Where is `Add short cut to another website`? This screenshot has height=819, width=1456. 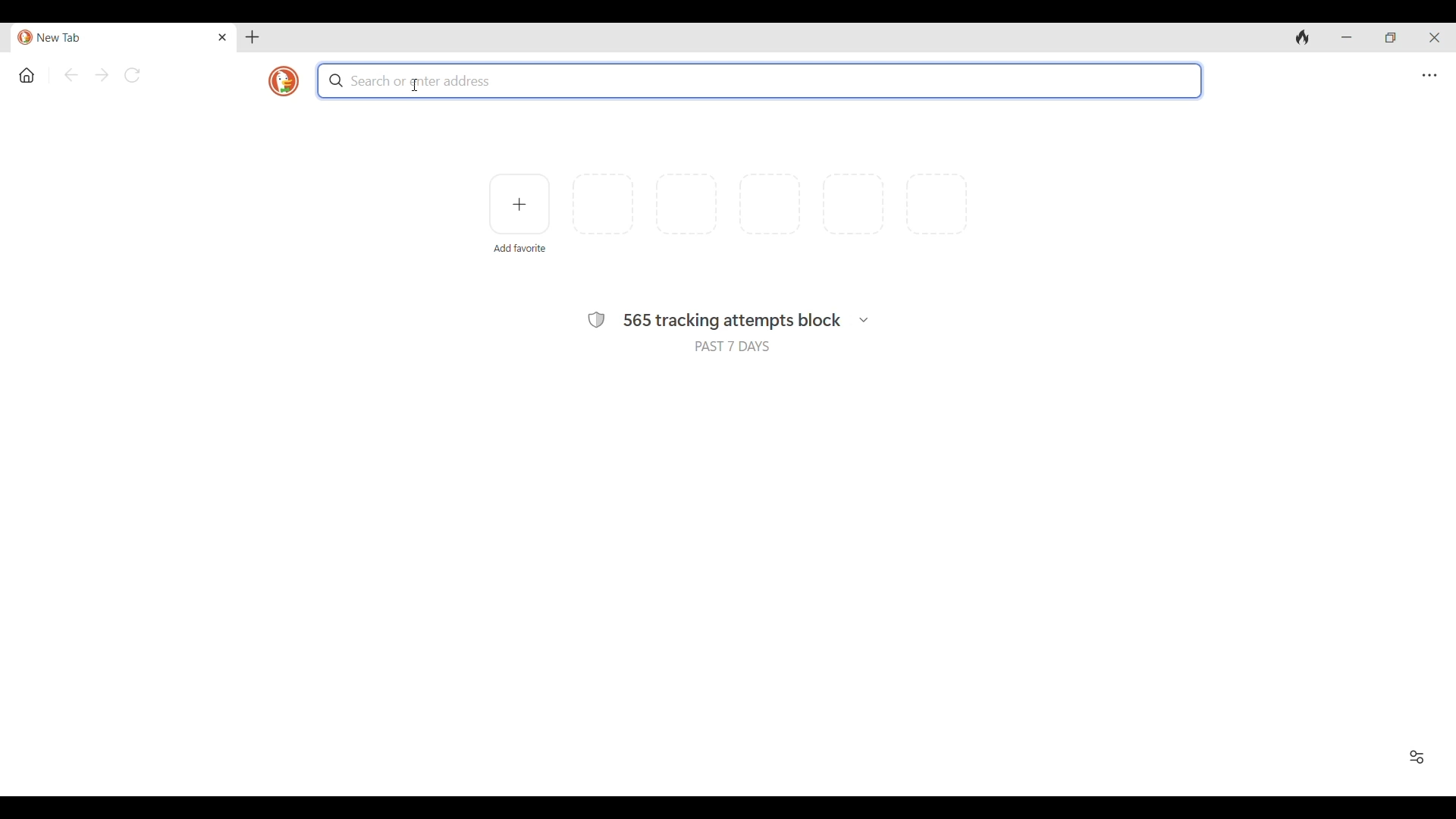 Add short cut to another website is located at coordinates (519, 204).